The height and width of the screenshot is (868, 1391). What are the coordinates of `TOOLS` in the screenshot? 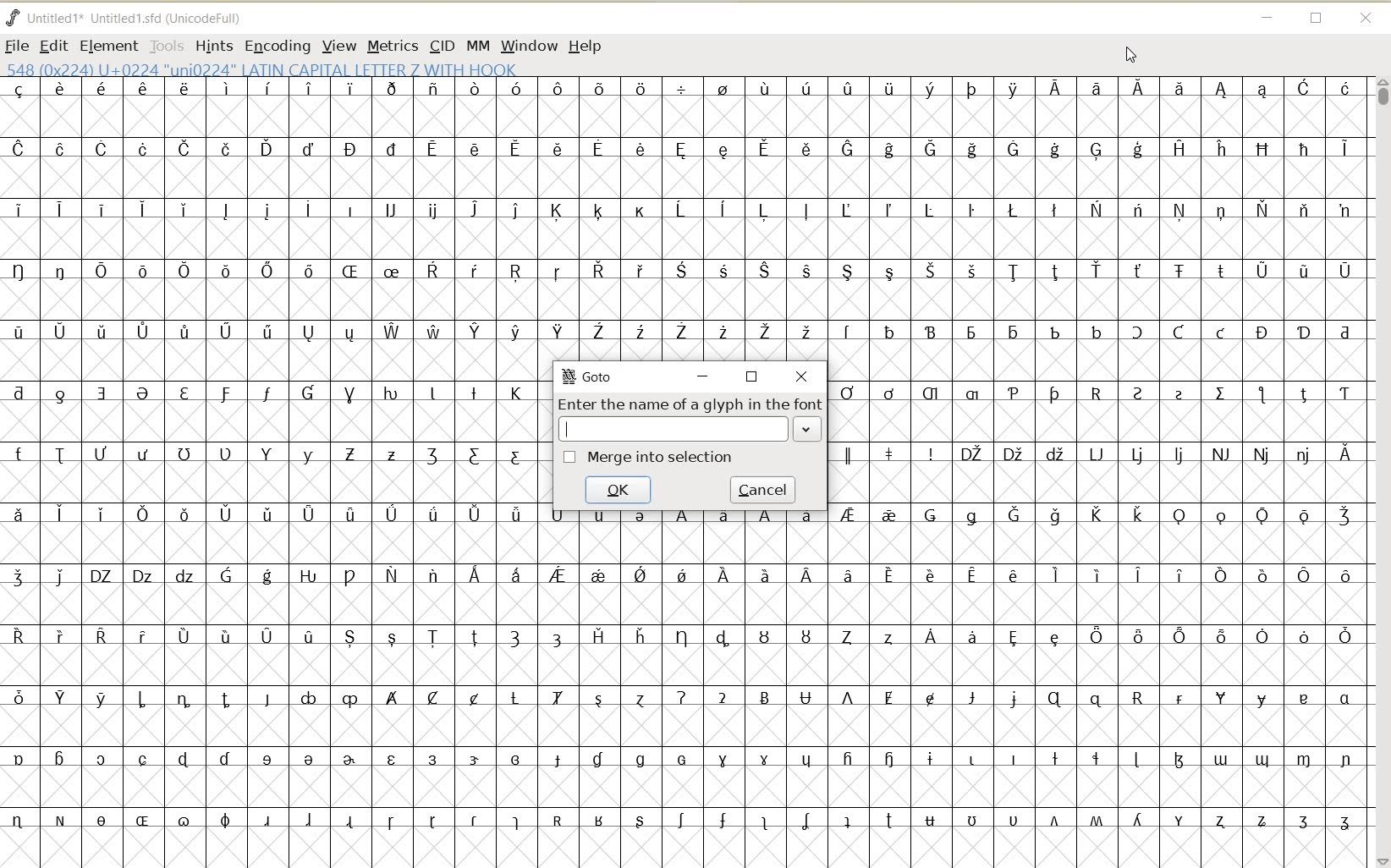 It's located at (165, 45).